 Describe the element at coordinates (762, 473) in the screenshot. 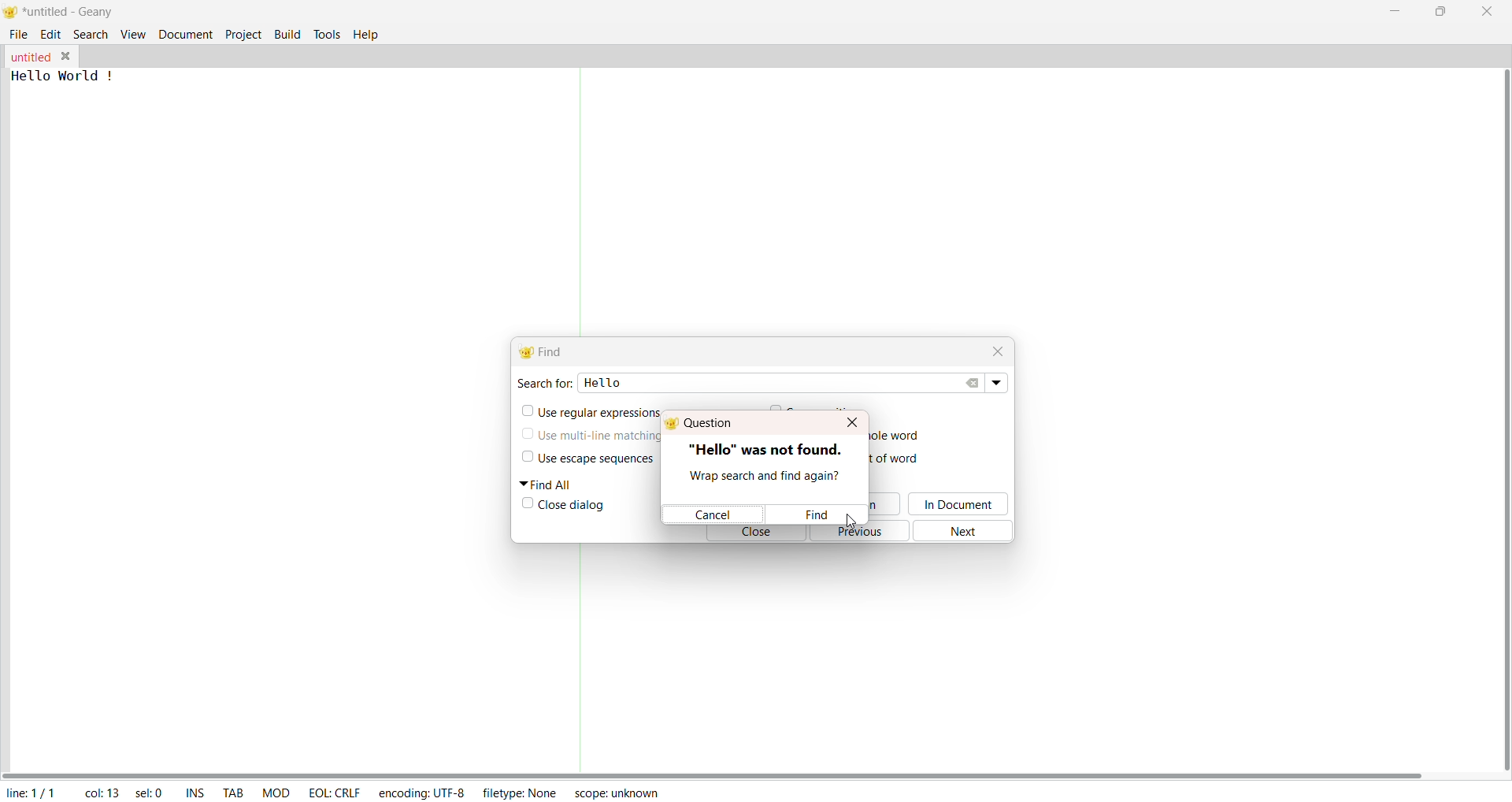

I see `Wrap Search and Find Again` at that location.